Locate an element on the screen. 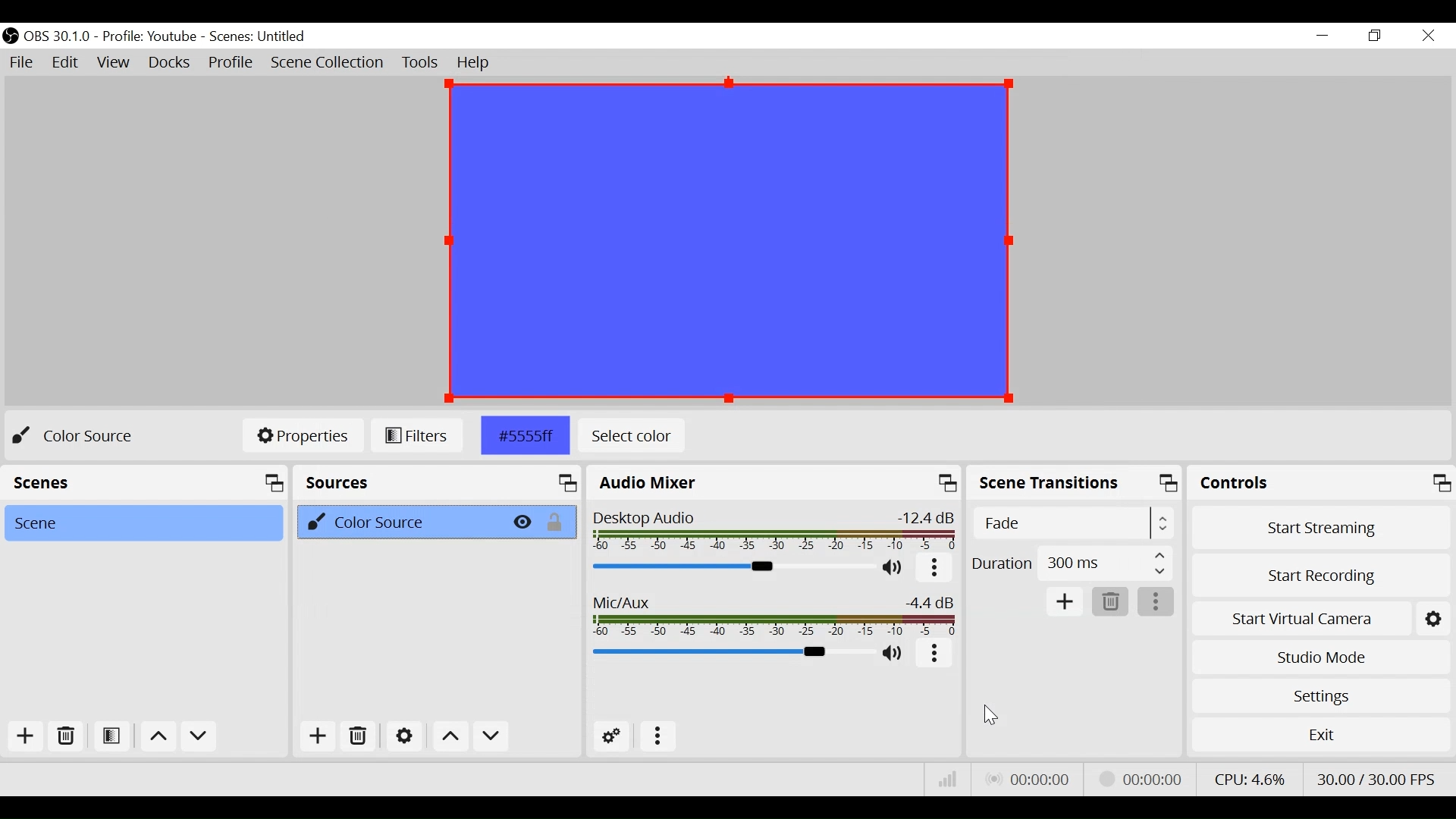  Live Status is located at coordinates (1030, 777).